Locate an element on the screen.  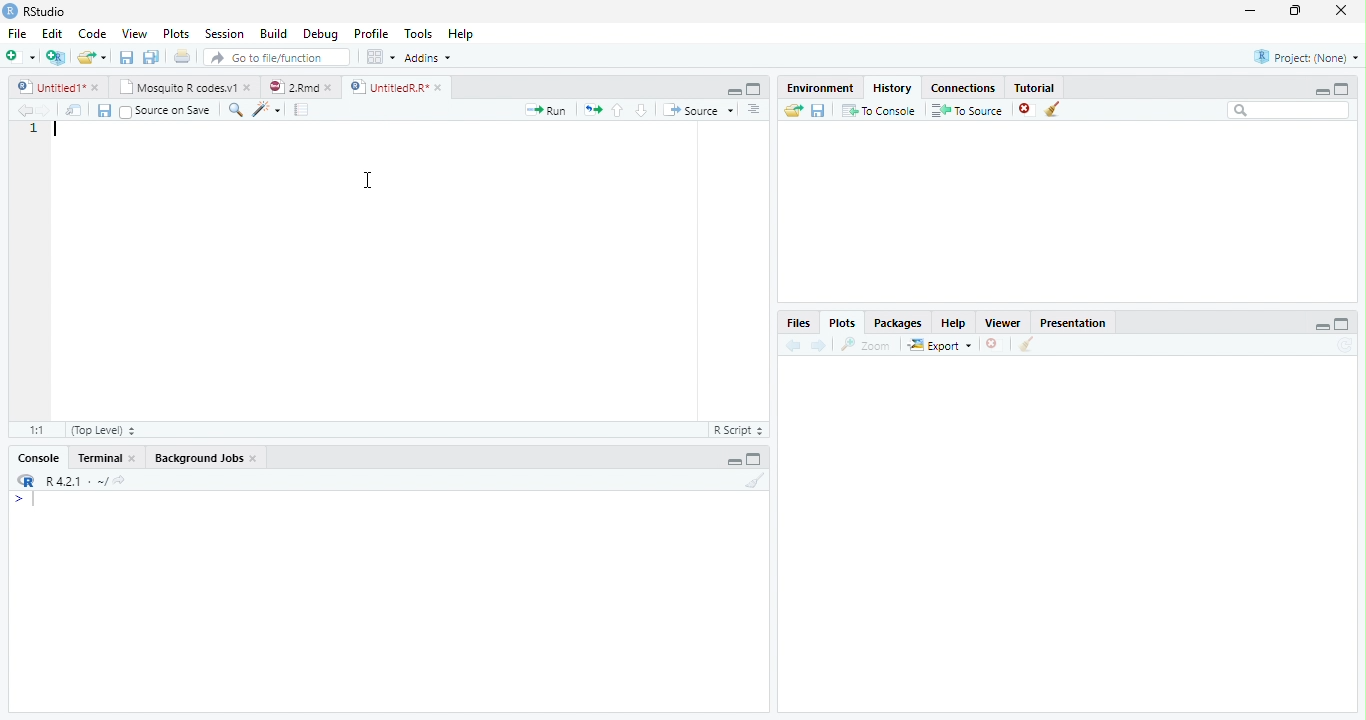
next is located at coordinates (821, 346).